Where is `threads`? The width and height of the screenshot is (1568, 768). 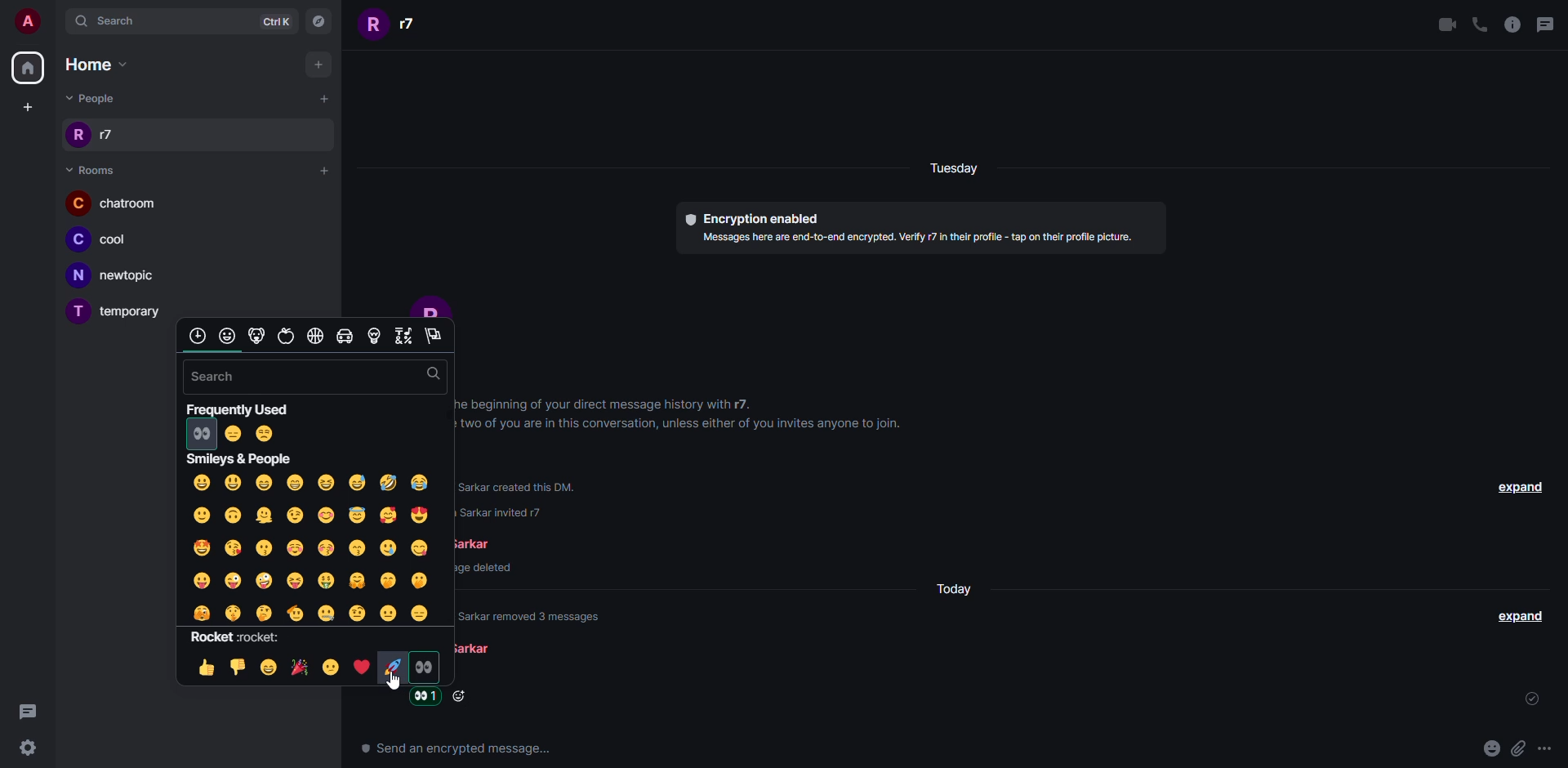
threads is located at coordinates (36, 711).